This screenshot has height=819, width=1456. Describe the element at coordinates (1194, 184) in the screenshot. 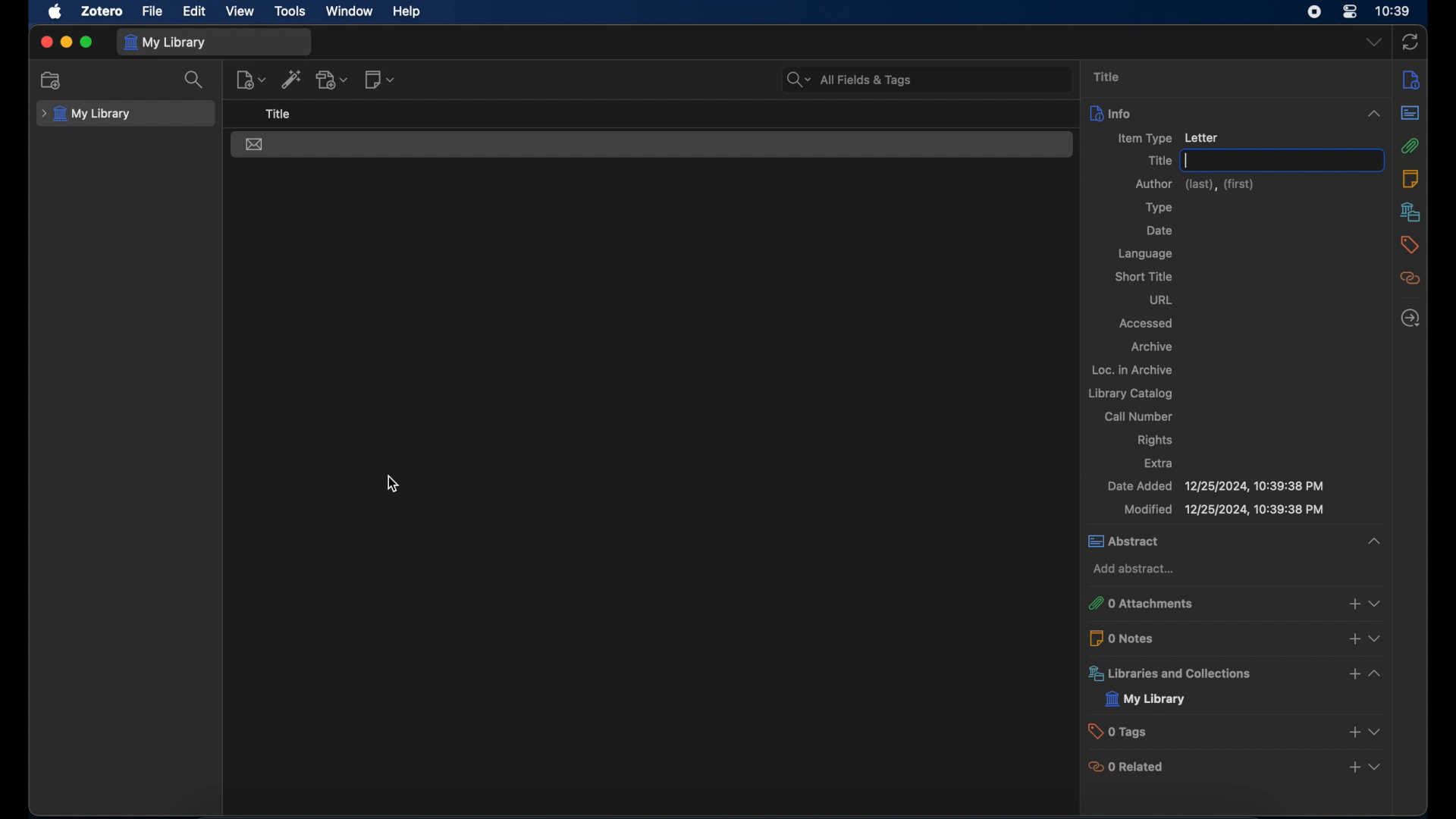

I see `author` at that location.